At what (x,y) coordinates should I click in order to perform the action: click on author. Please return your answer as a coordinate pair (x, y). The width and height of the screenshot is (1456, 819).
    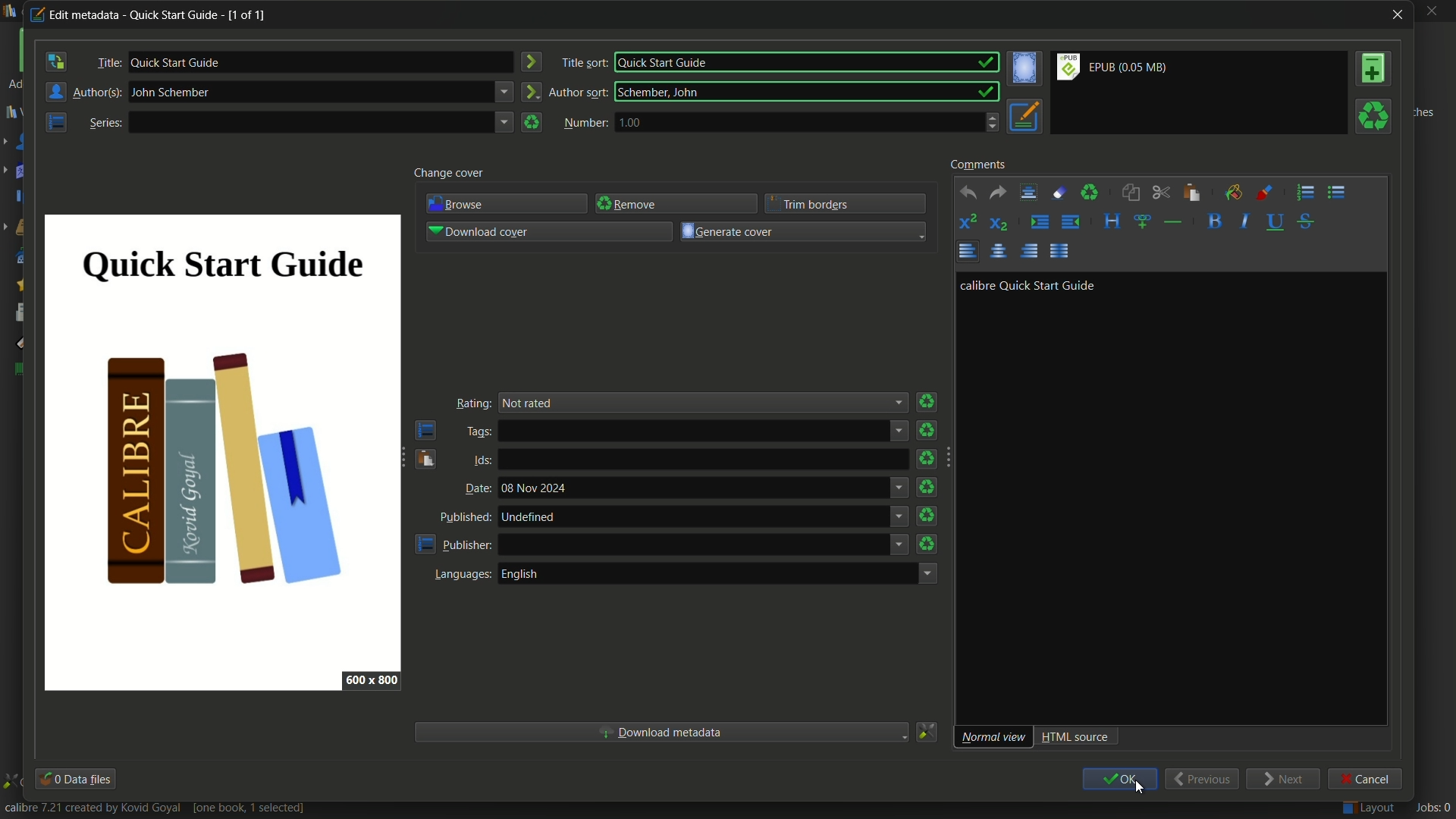
    Looking at the image, I should click on (172, 92).